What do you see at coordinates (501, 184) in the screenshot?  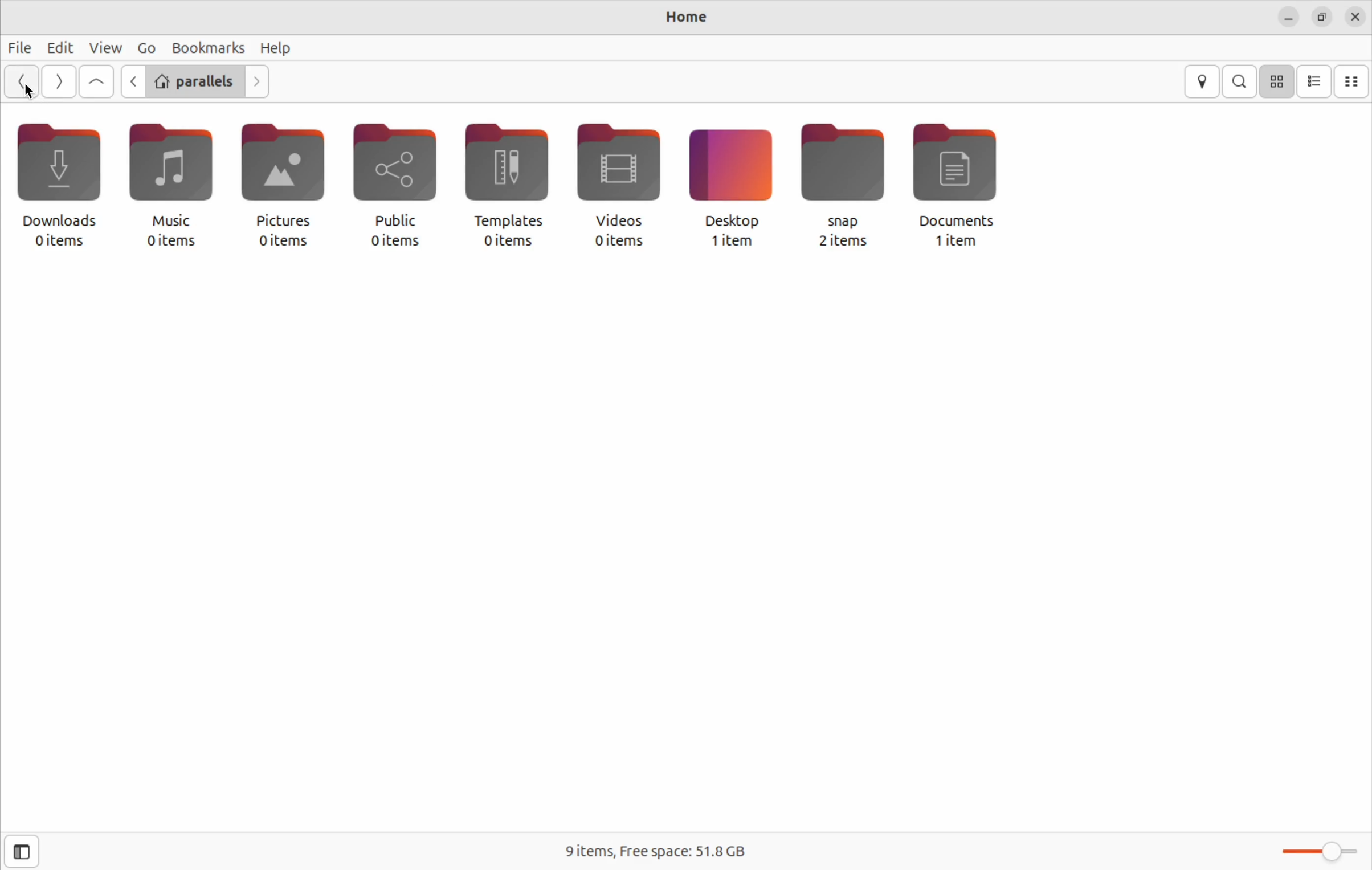 I see `templates 0 items` at bounding box center [501, 184].